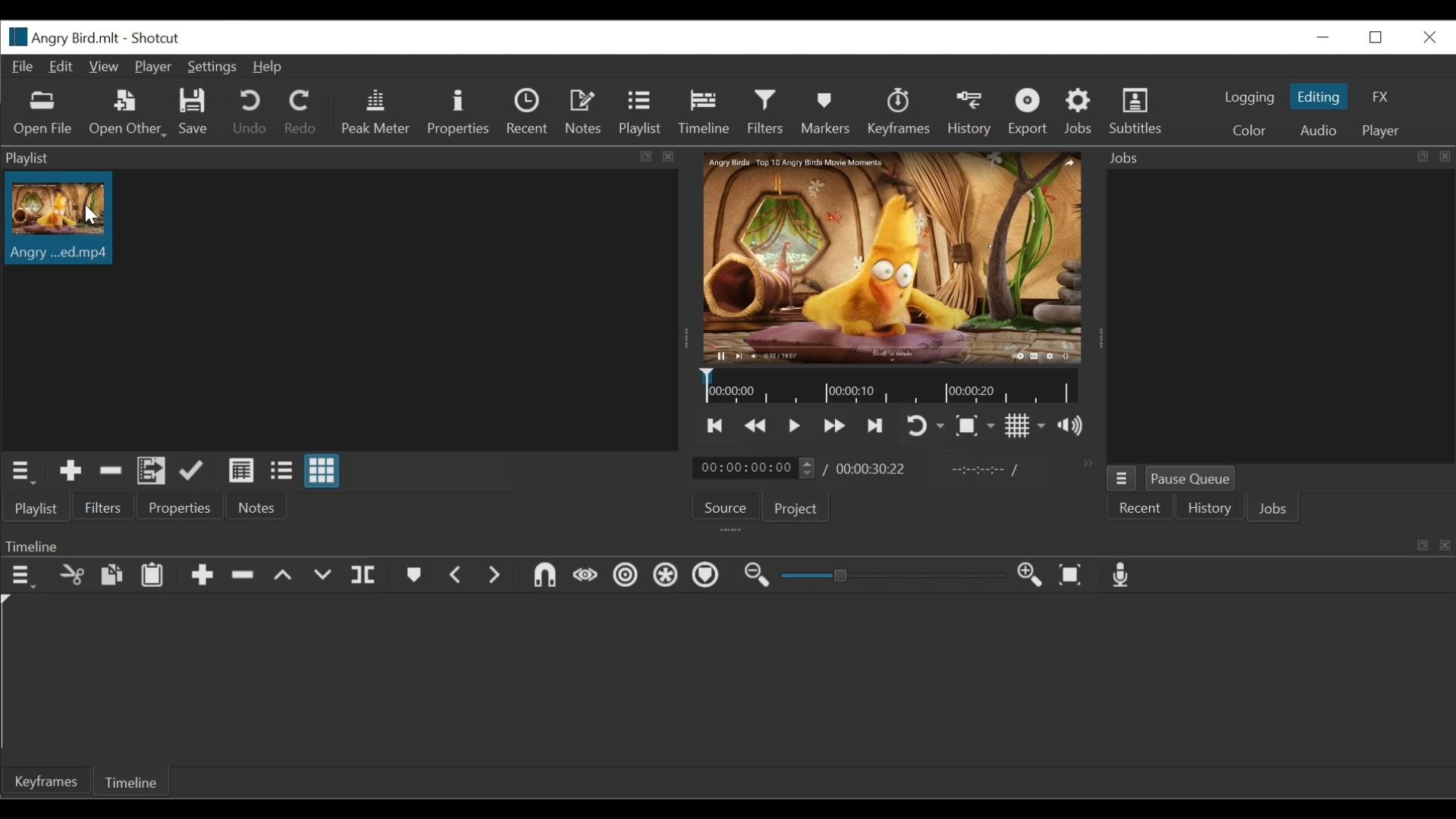  Describe the element at coordinates (1210, 510) in the screenshot. I see `History` at that location.